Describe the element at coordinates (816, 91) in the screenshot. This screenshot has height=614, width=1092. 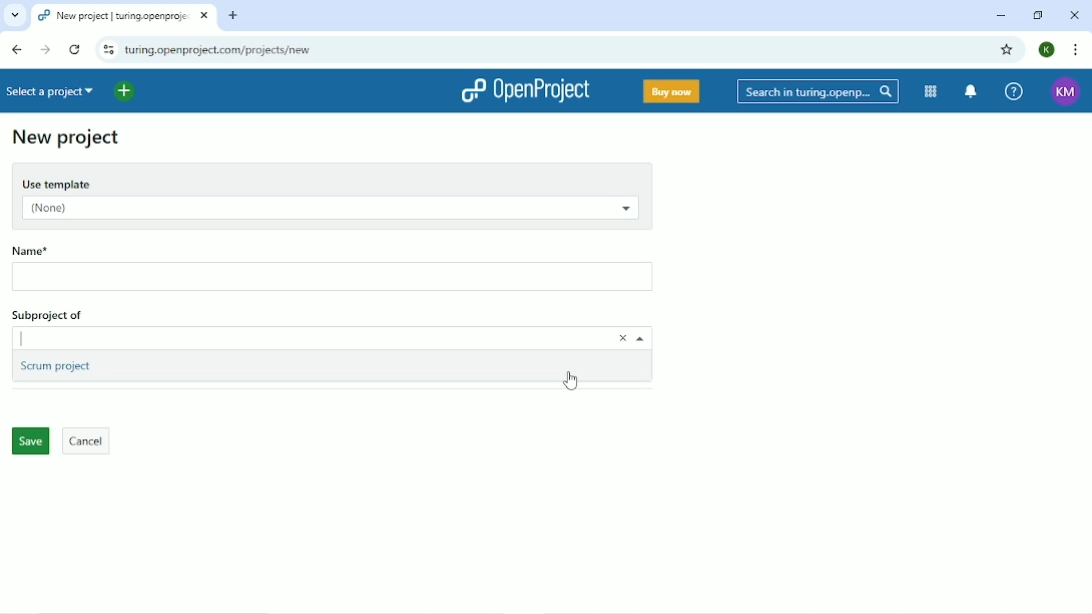
I see `Search in turing.openproject` at that location.